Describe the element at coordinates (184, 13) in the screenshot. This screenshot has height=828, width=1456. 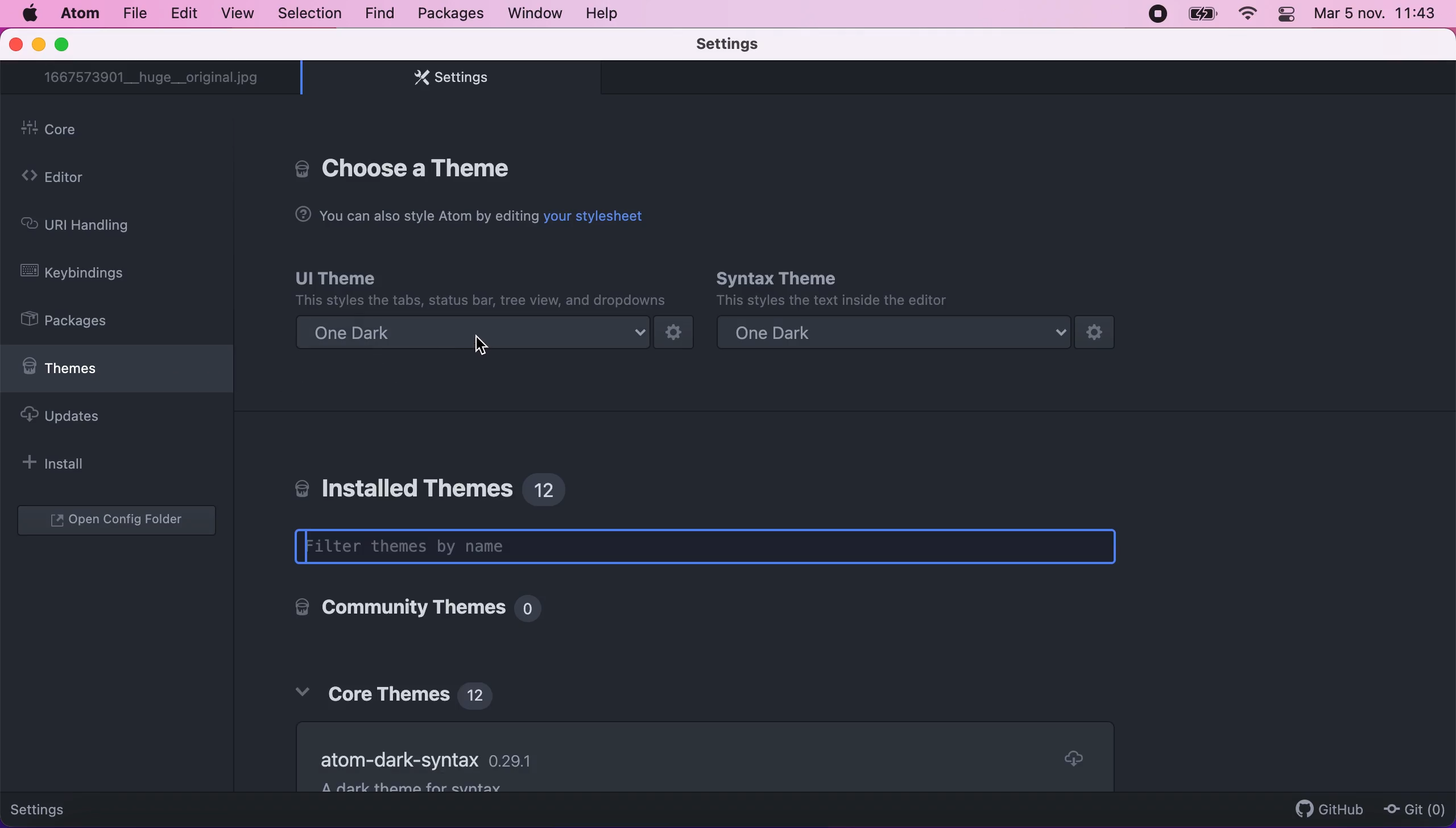
I see `edit` at that location.